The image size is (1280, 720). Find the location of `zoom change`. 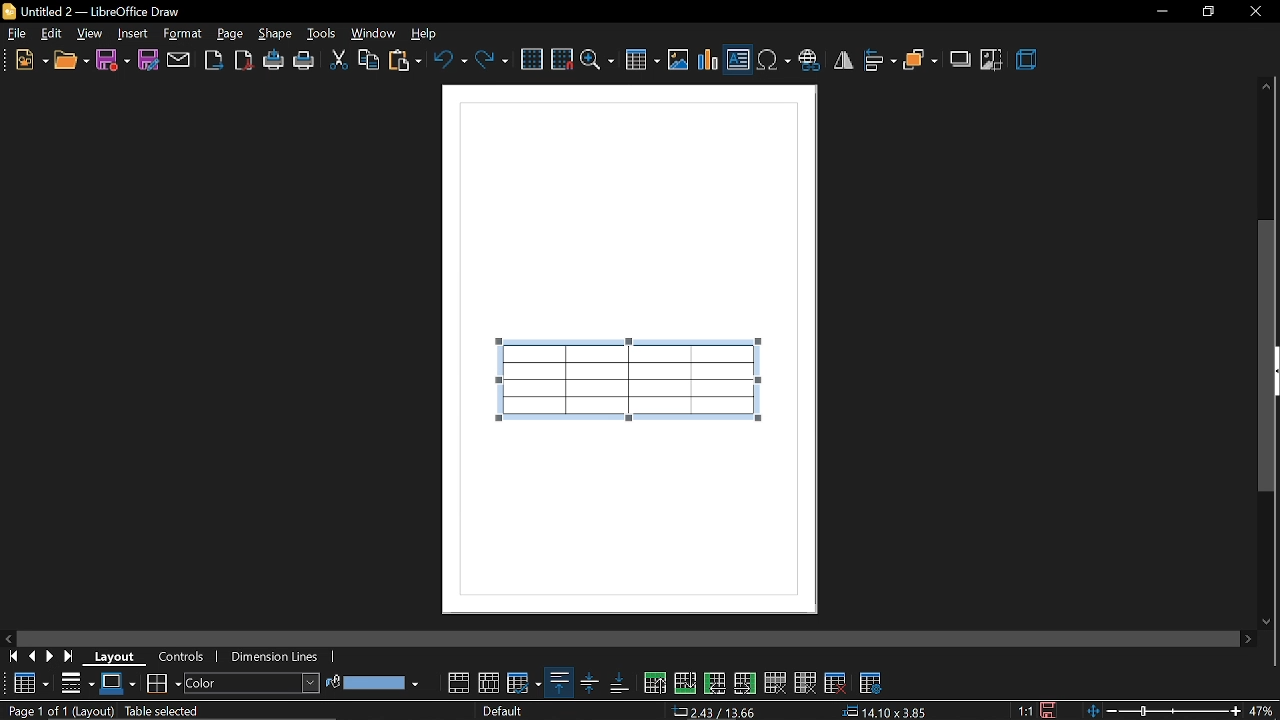

zoom change is located at coordinates (1162, 712).